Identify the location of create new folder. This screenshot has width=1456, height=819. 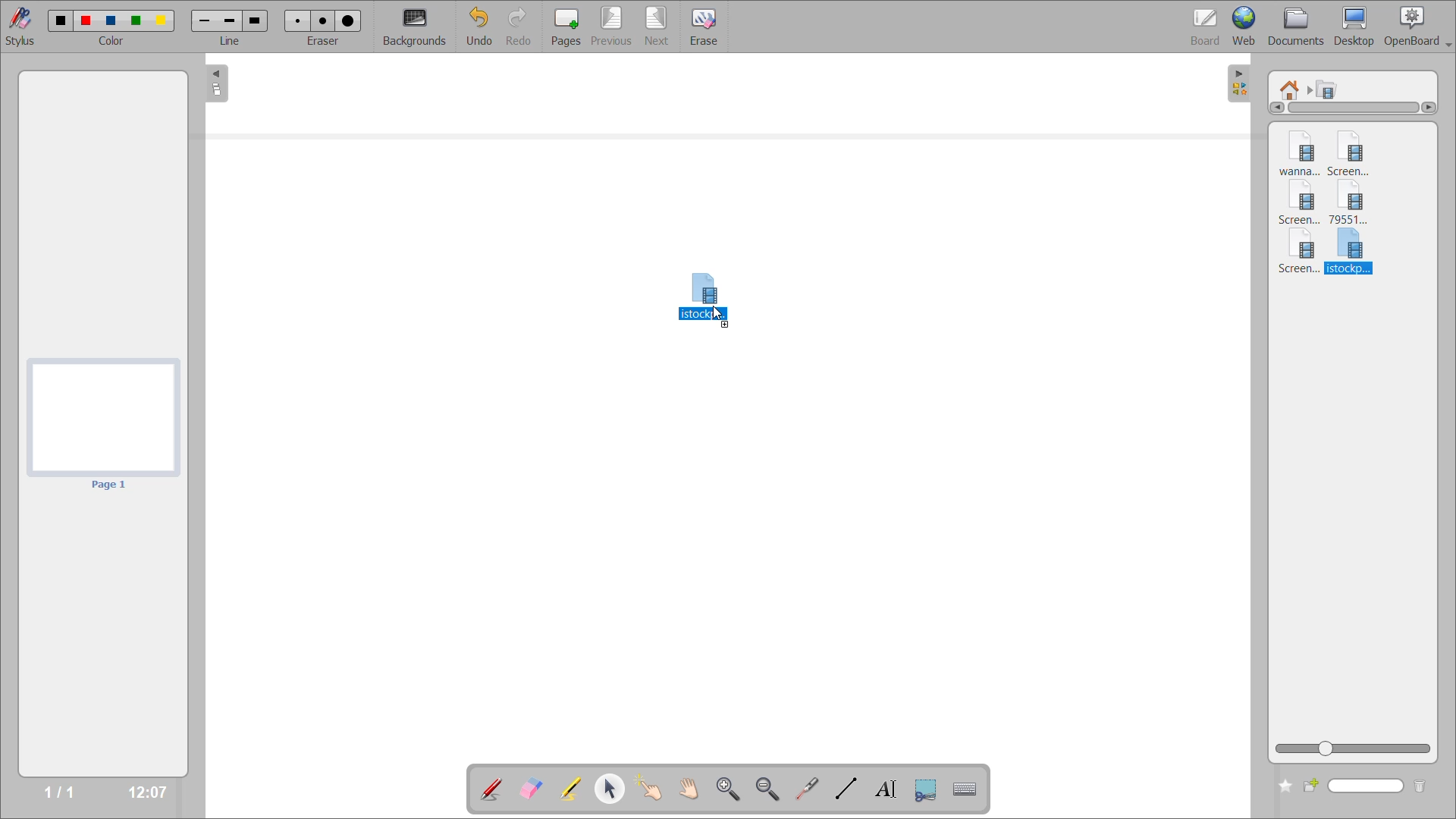
(1283, 787).